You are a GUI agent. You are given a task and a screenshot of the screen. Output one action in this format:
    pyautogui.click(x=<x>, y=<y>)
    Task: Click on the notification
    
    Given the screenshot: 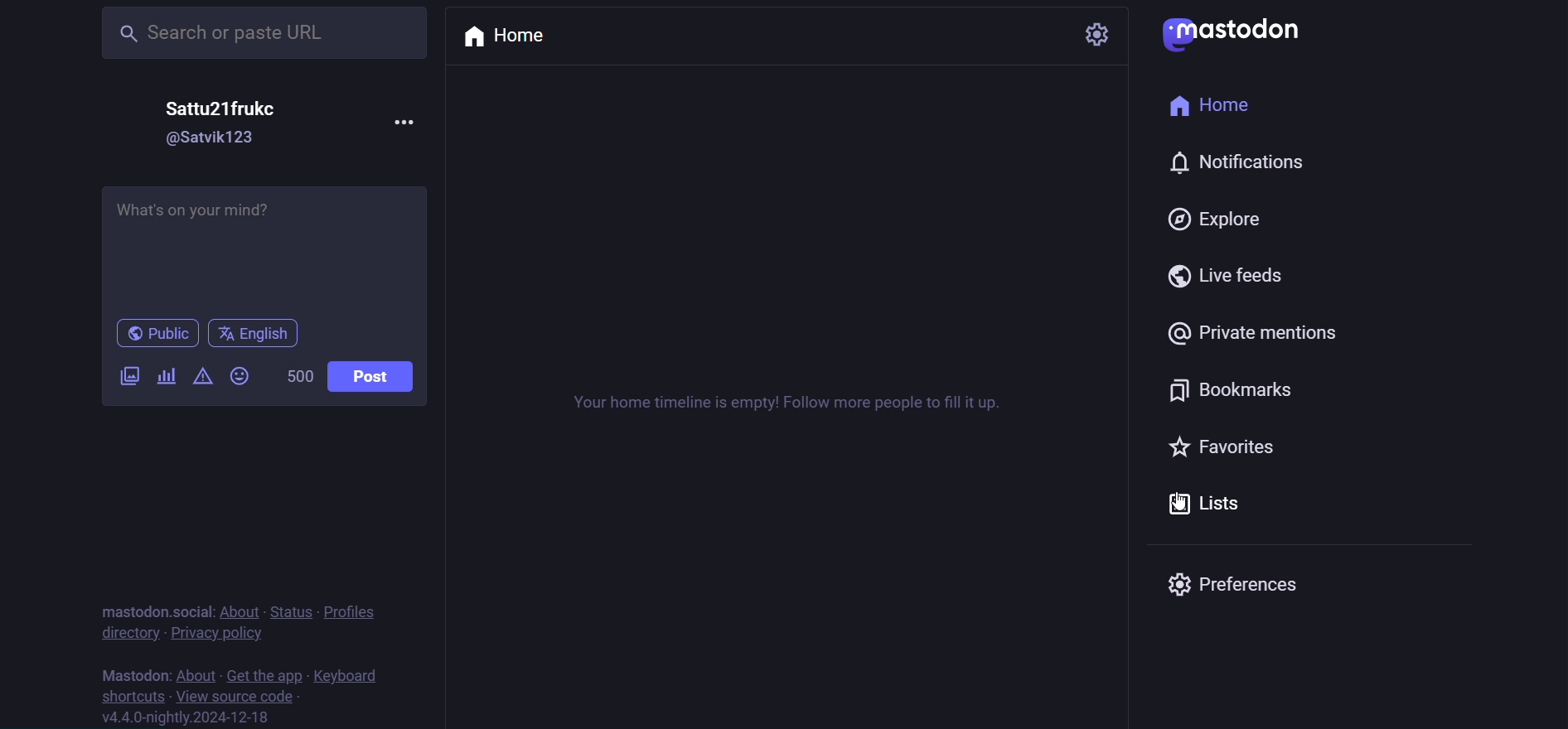 What is the action you would take?
    pyautogui.click(x=1161, y=162)
    